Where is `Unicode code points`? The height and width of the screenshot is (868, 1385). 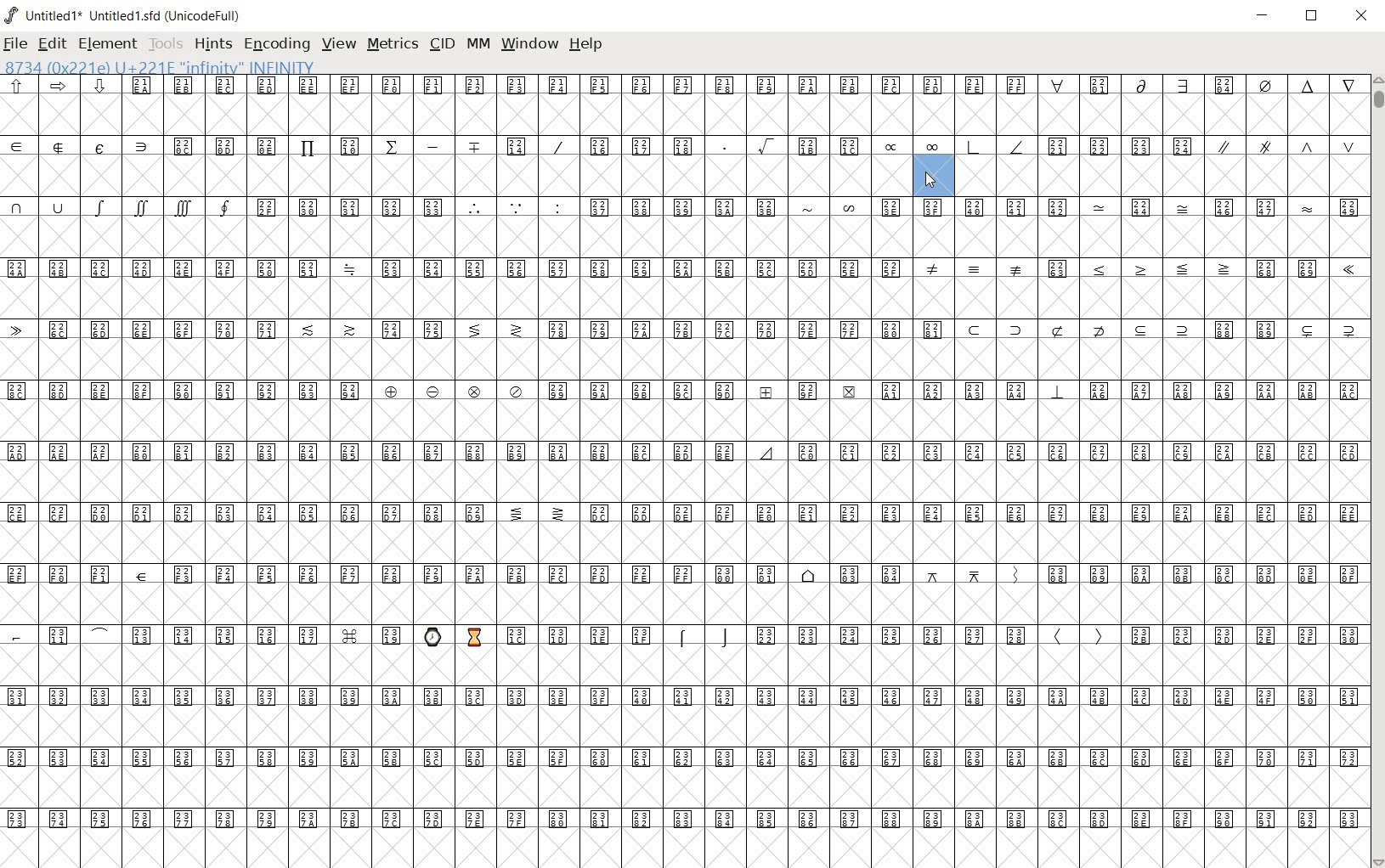 Unicode code points is located at coordinates (1145, 208).